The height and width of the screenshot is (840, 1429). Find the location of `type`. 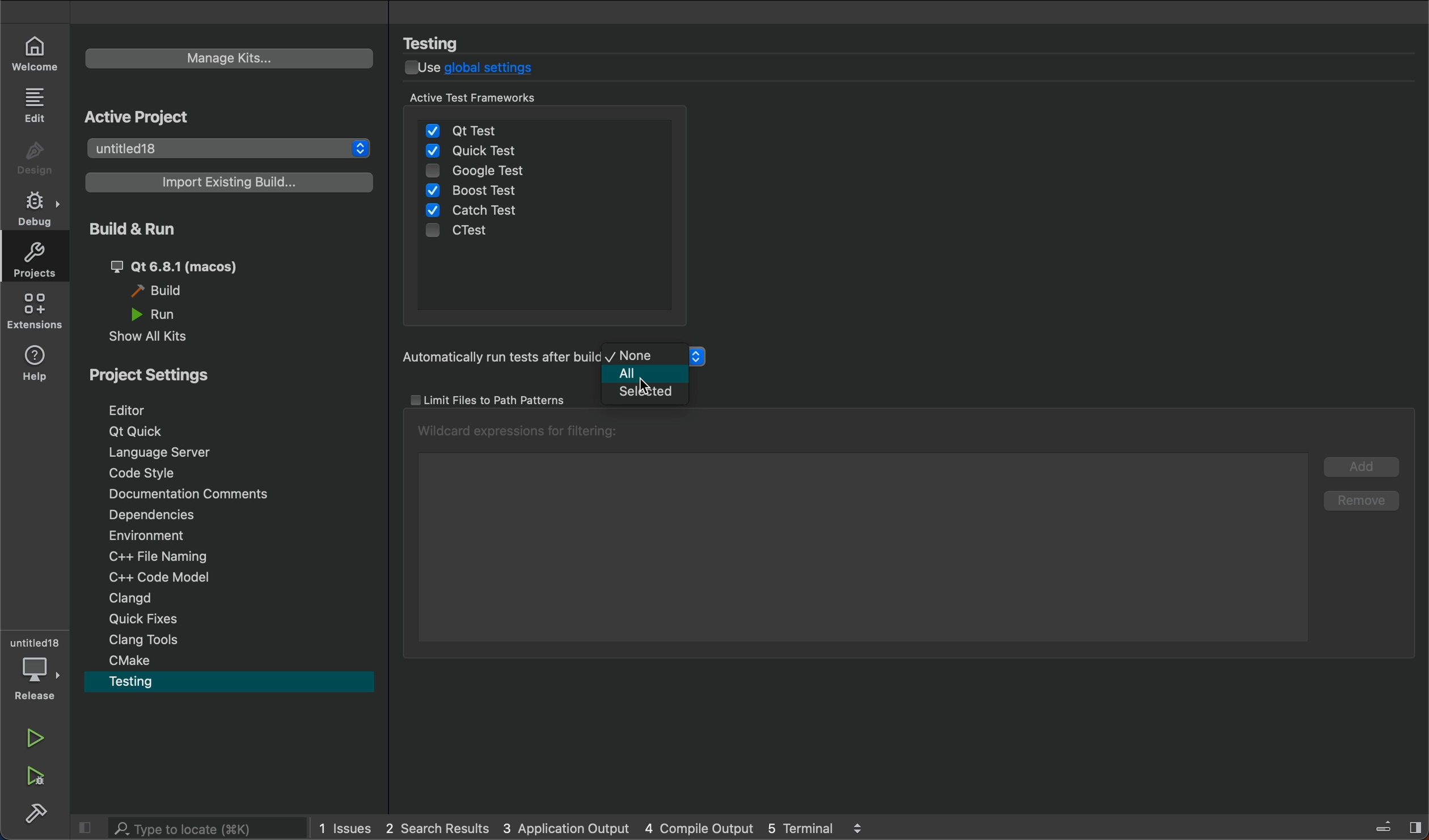

type is located at coordinates (187, 828).